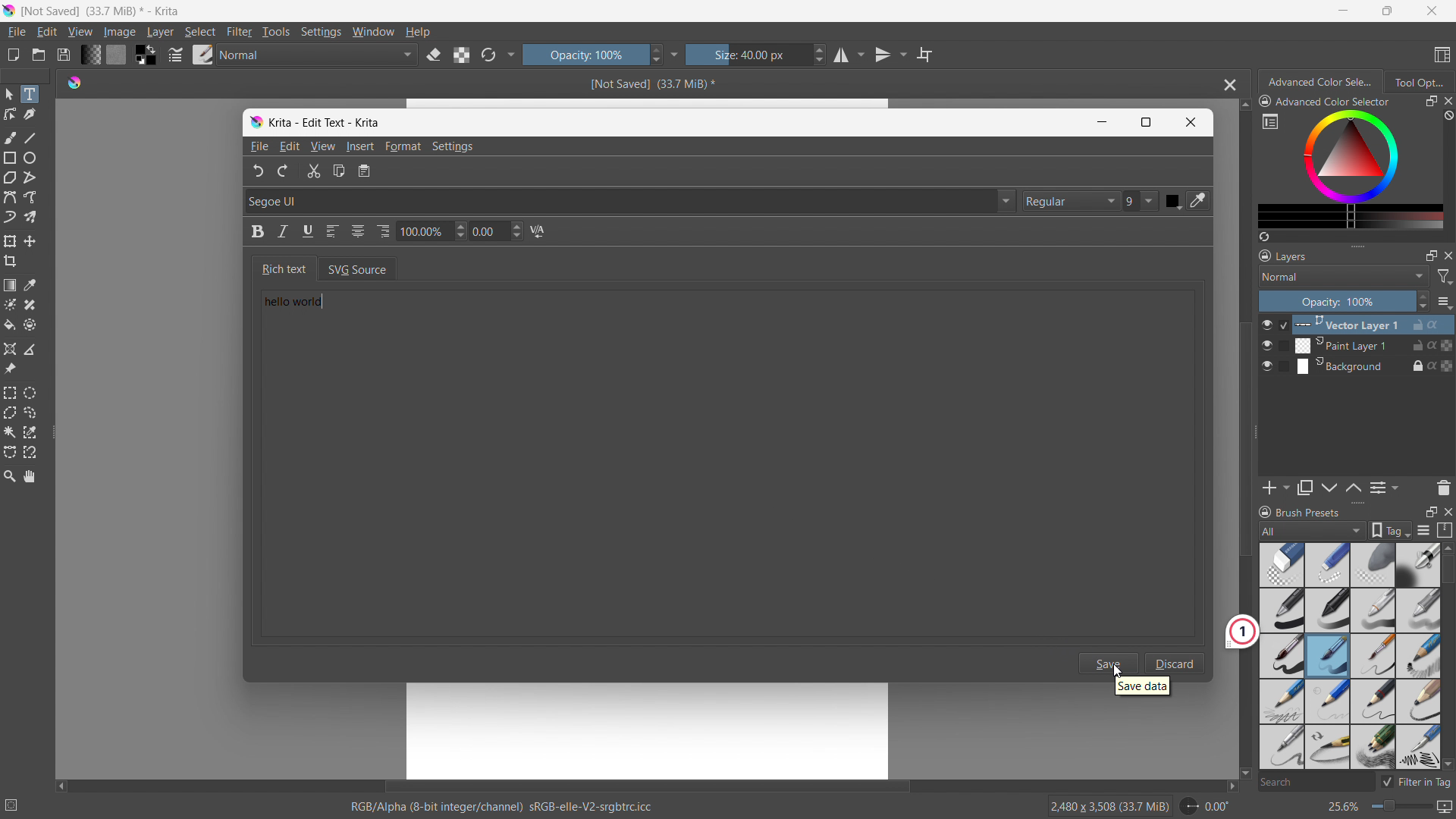  I want to click on small pin brush, so click(1372, 657).